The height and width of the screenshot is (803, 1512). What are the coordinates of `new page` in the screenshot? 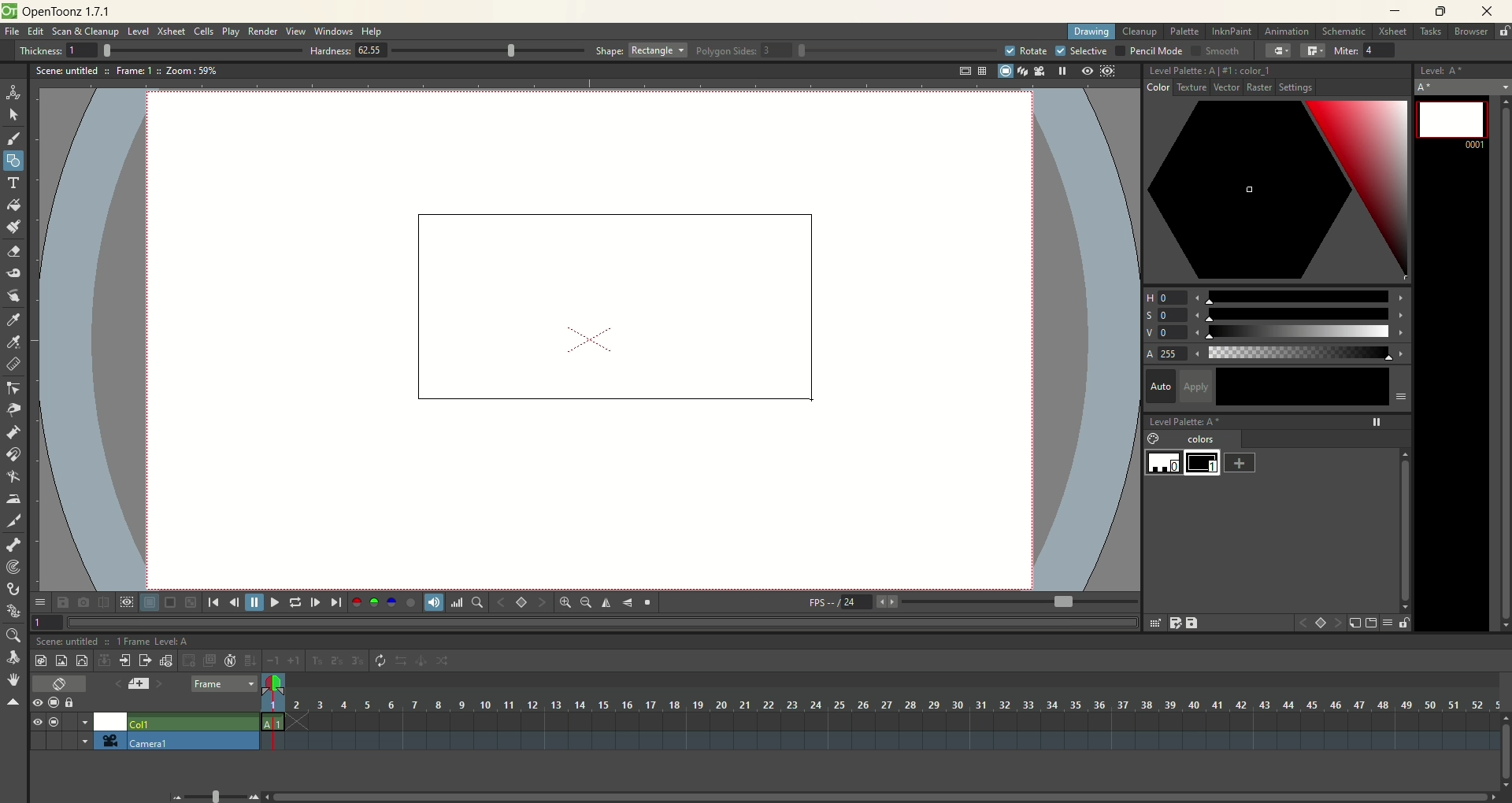 It's located at (1369, 624).